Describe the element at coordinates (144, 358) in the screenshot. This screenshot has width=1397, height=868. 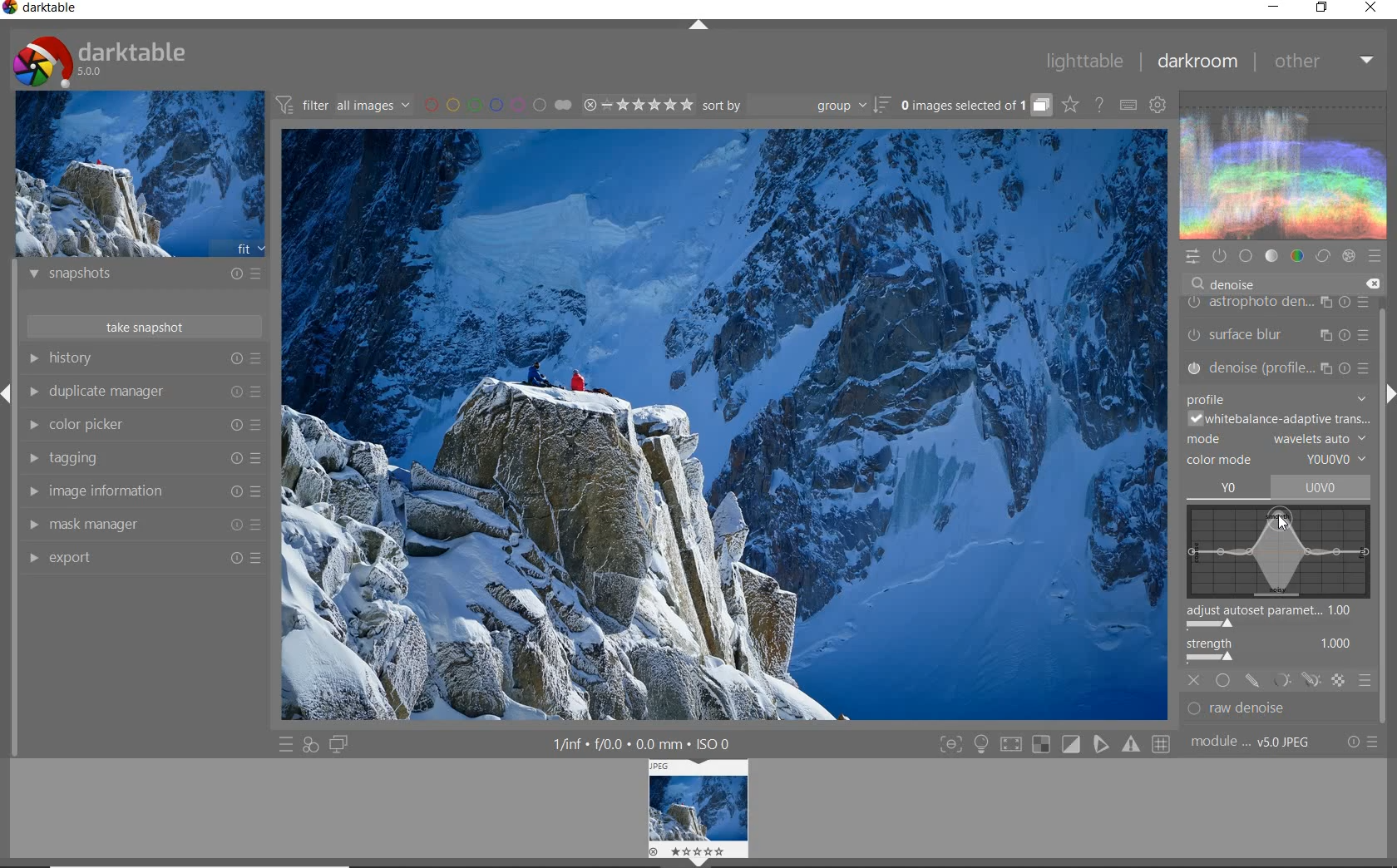
I see `history` at that location.